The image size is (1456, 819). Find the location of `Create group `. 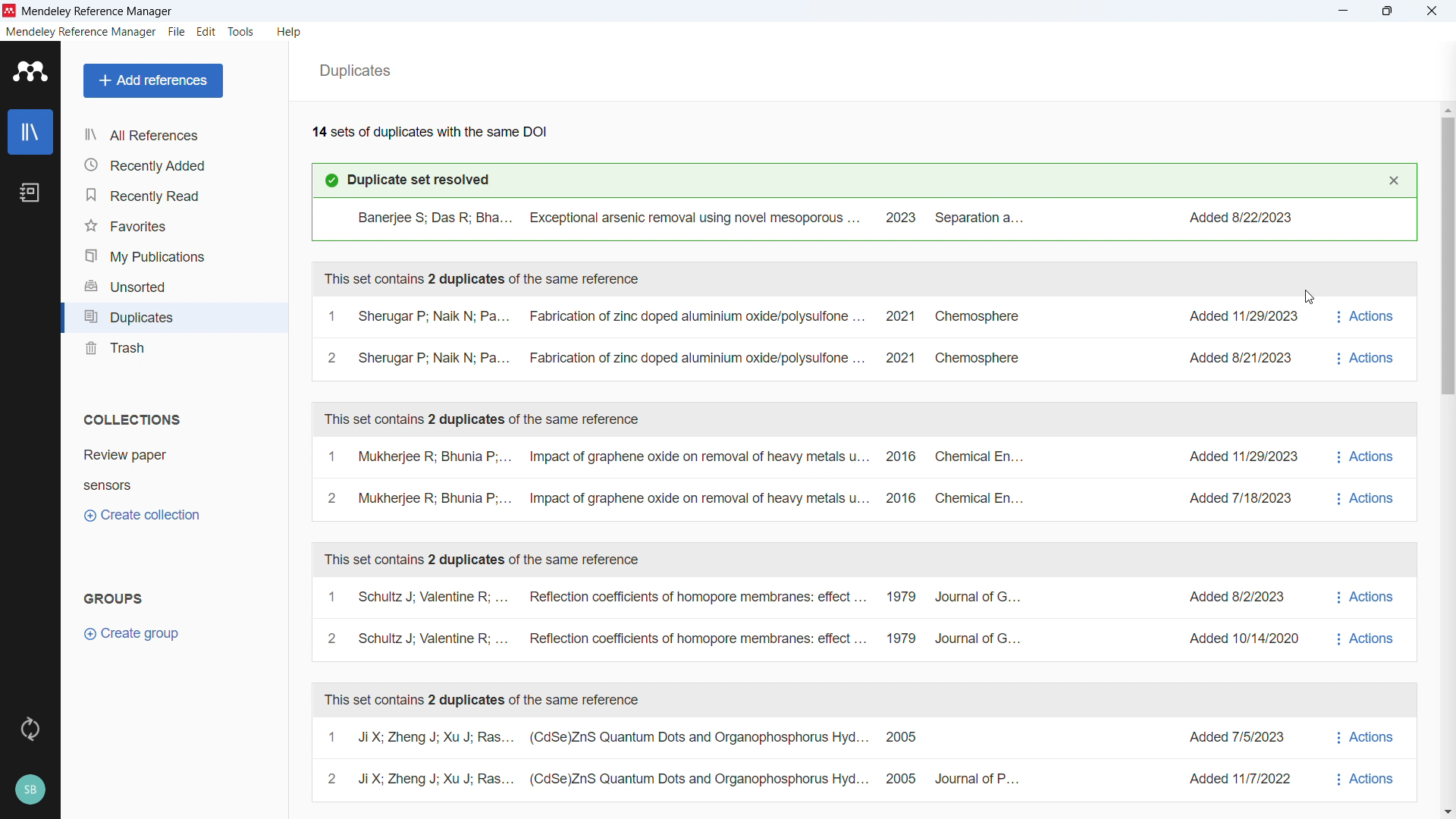

Create group  is located at coordinates (134, 634).